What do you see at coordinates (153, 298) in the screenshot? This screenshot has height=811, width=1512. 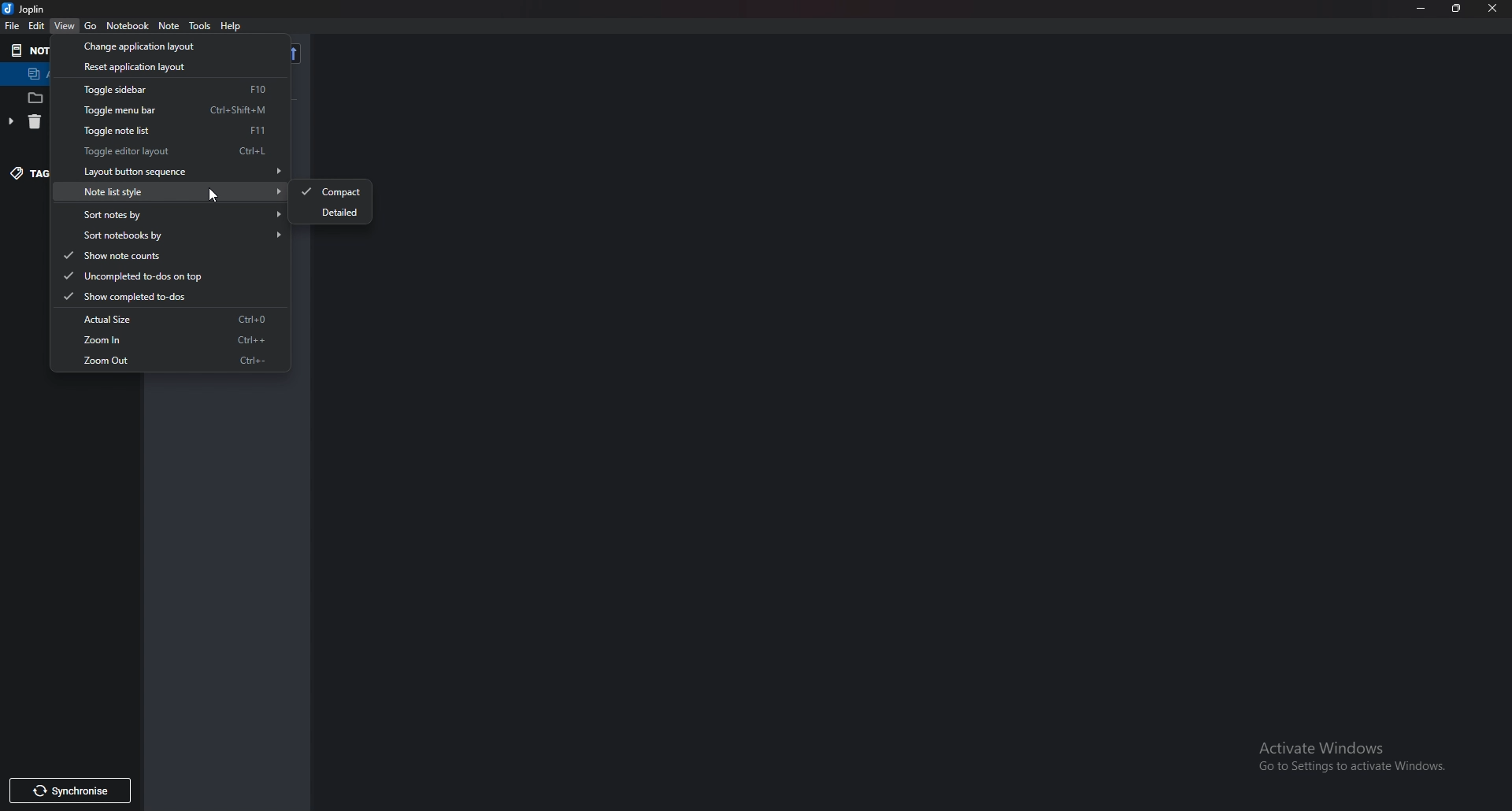 I see `v Show completed to-dos.` at bounding box center [153, 298].